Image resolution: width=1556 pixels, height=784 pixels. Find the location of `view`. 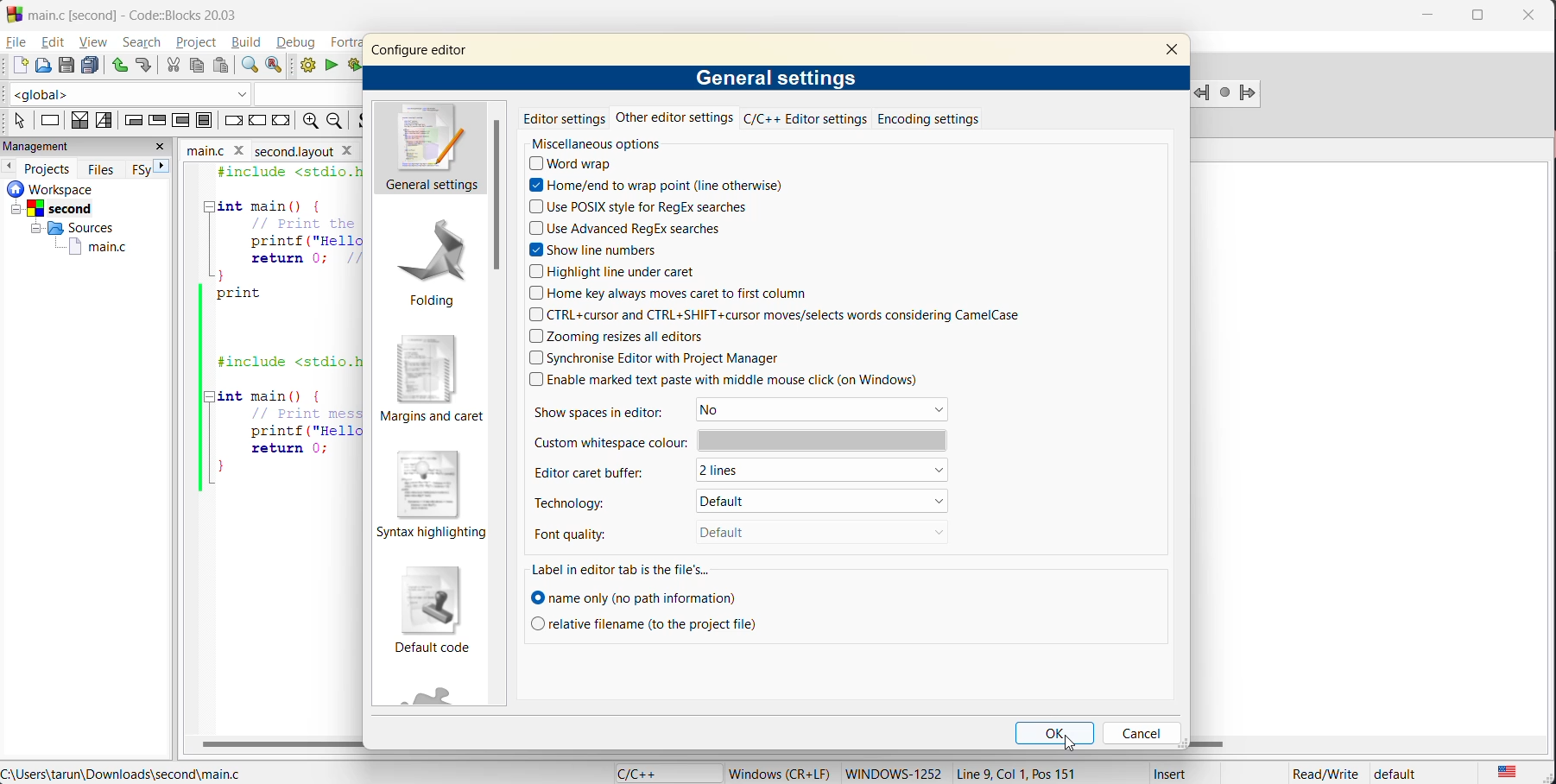

view is located at coordinates (98, 42).